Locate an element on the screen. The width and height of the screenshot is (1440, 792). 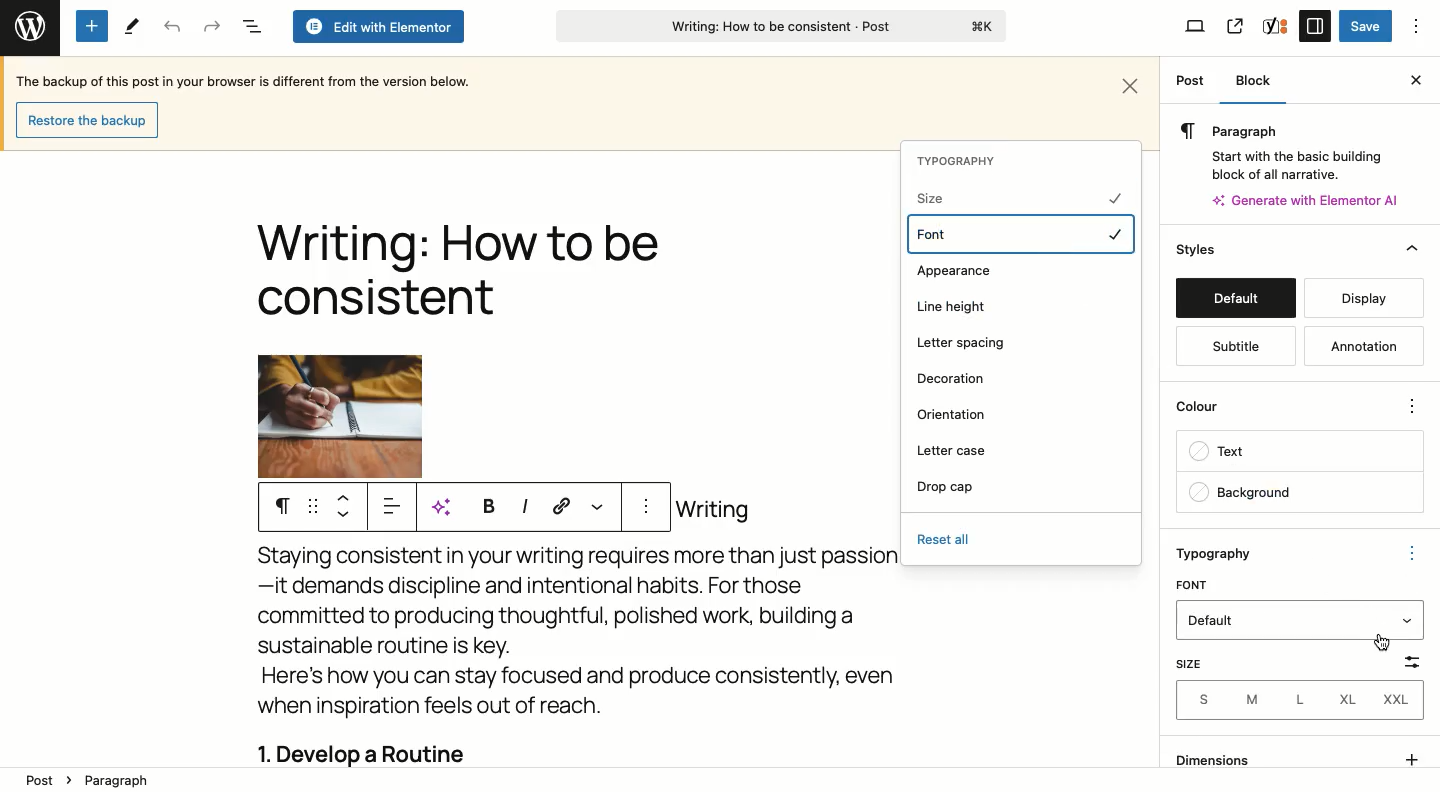
Default  is located at coordinates (1286, 619).